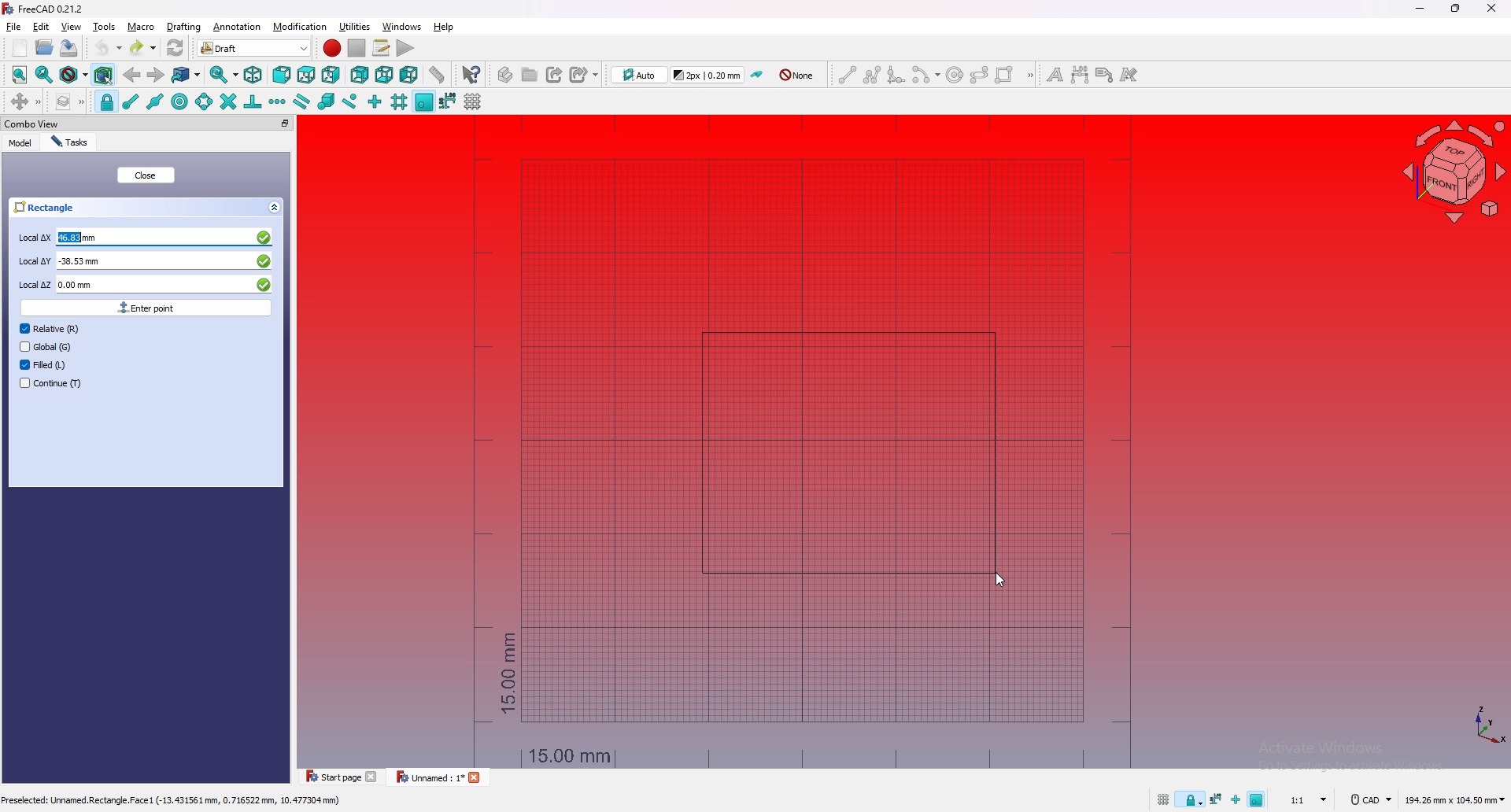 The image size is (1511, 812). What do you see at coordinates (1031, 77) in the screenshot?
I see `draft creation tools` at bounding box center [1031, 77].